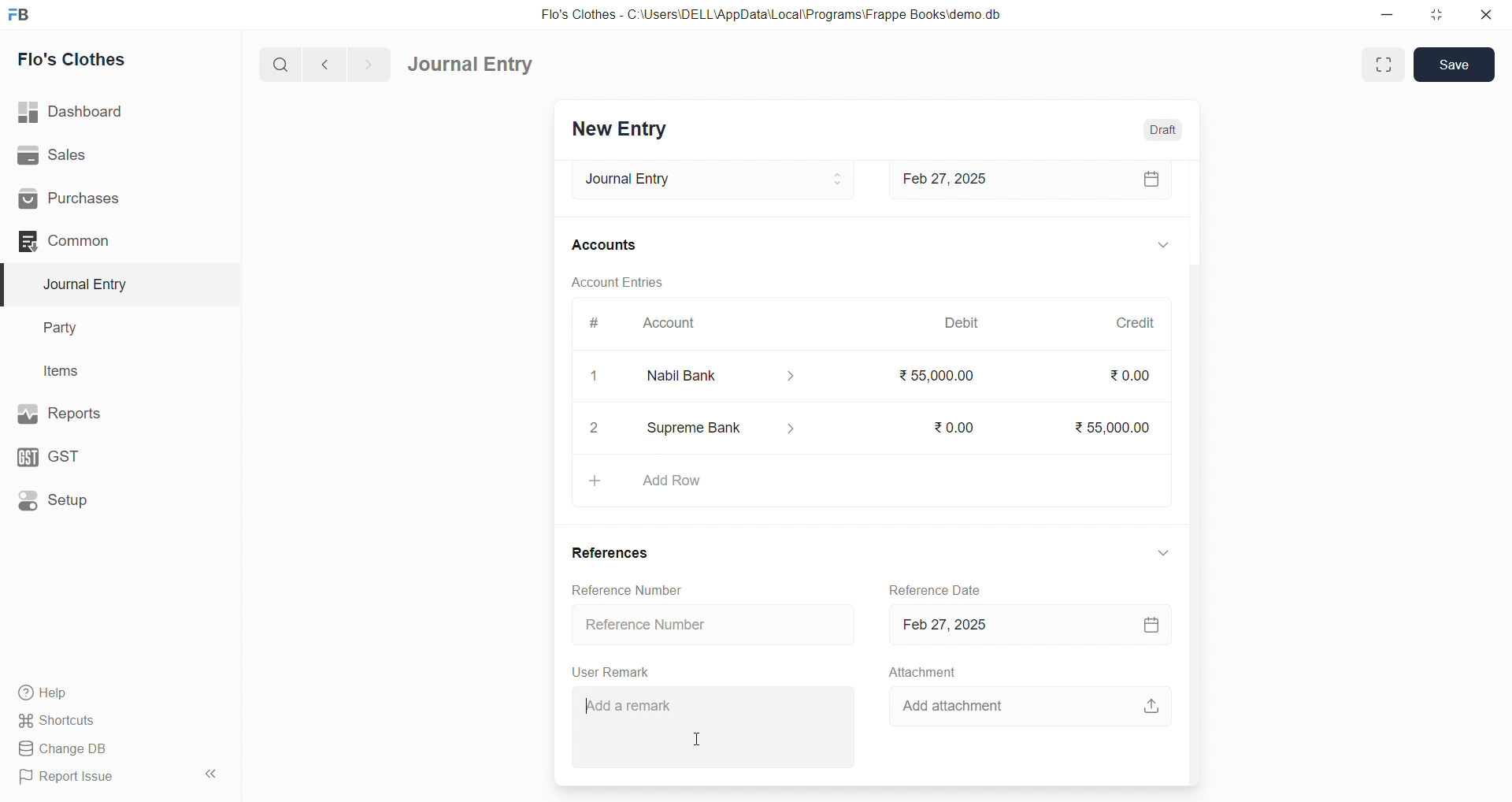 The width and height of the screenshot is (1512, 802). What do you see at coordinates (94, 154) in the screenshot?
I see `Sales` at bounding box center [94, 154].